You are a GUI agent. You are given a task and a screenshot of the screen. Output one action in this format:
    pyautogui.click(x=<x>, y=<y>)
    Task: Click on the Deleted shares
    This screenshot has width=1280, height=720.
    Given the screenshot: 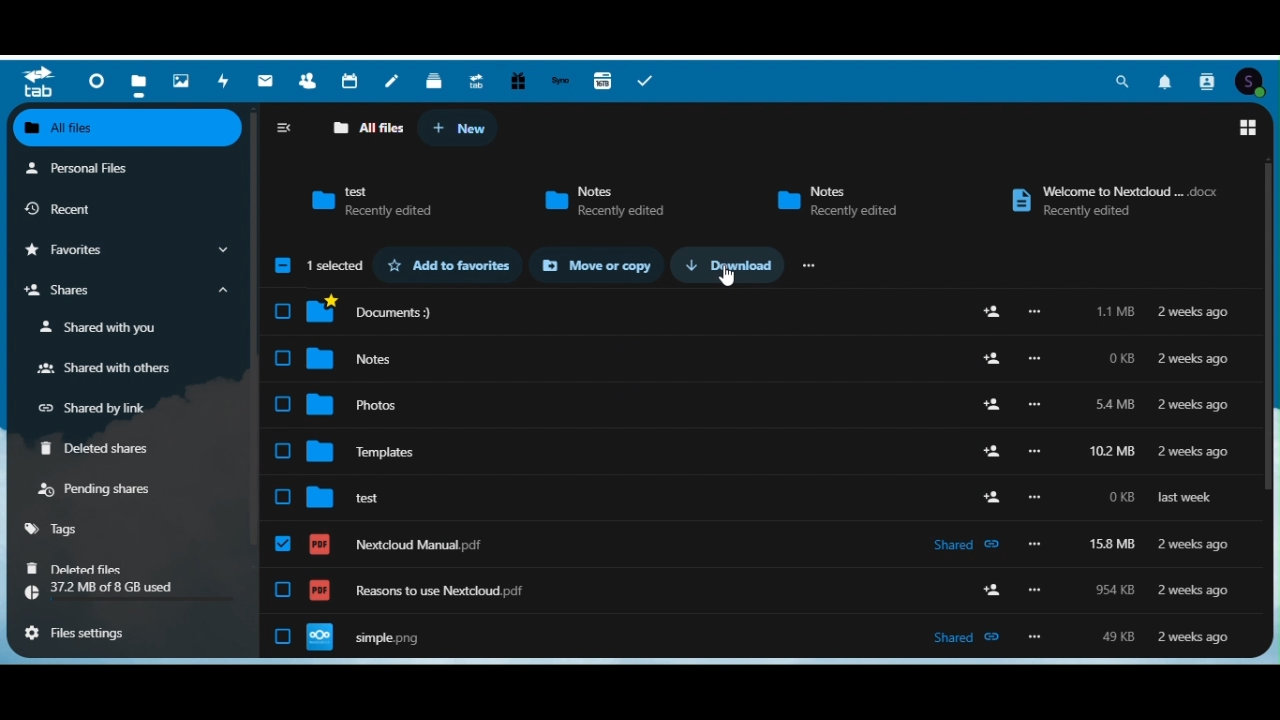 What is the action you would take?
    pyautogui.click(x=99, y=451)
    